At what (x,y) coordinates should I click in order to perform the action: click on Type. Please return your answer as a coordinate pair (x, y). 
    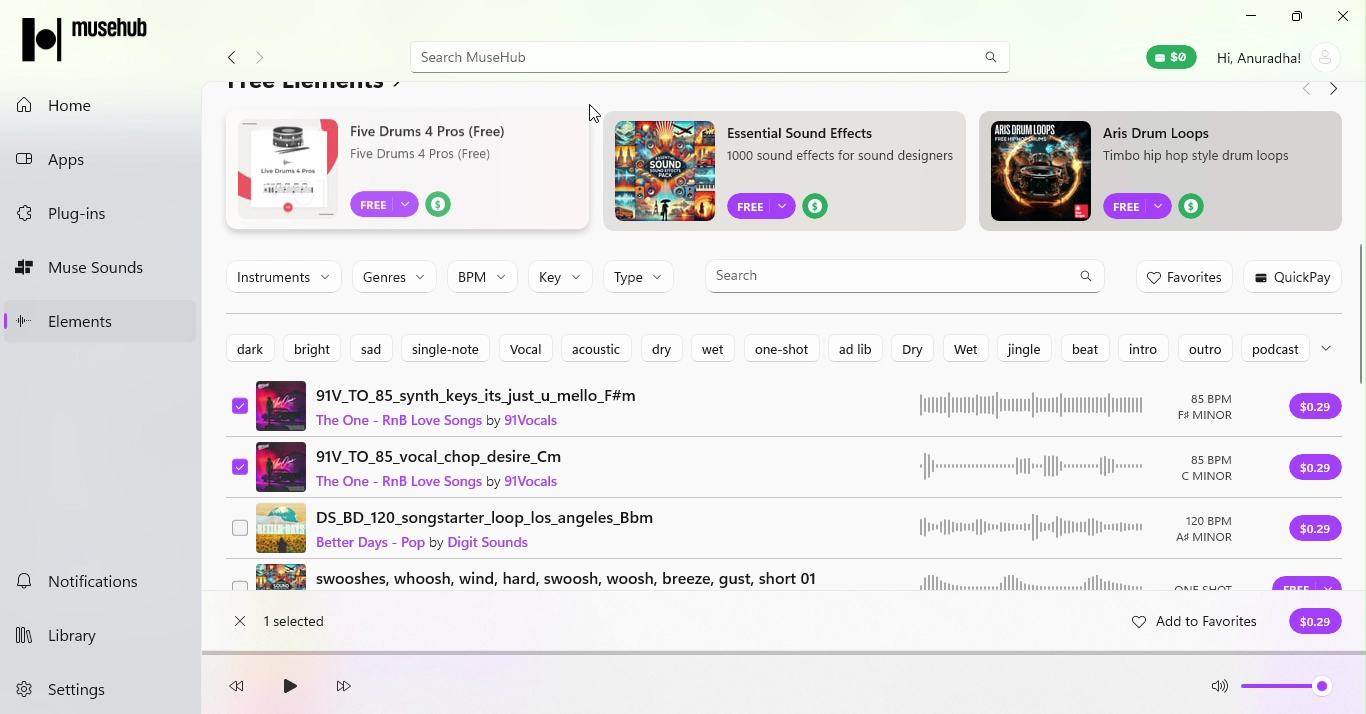
    Looking at the image, I should click on (640, 282).